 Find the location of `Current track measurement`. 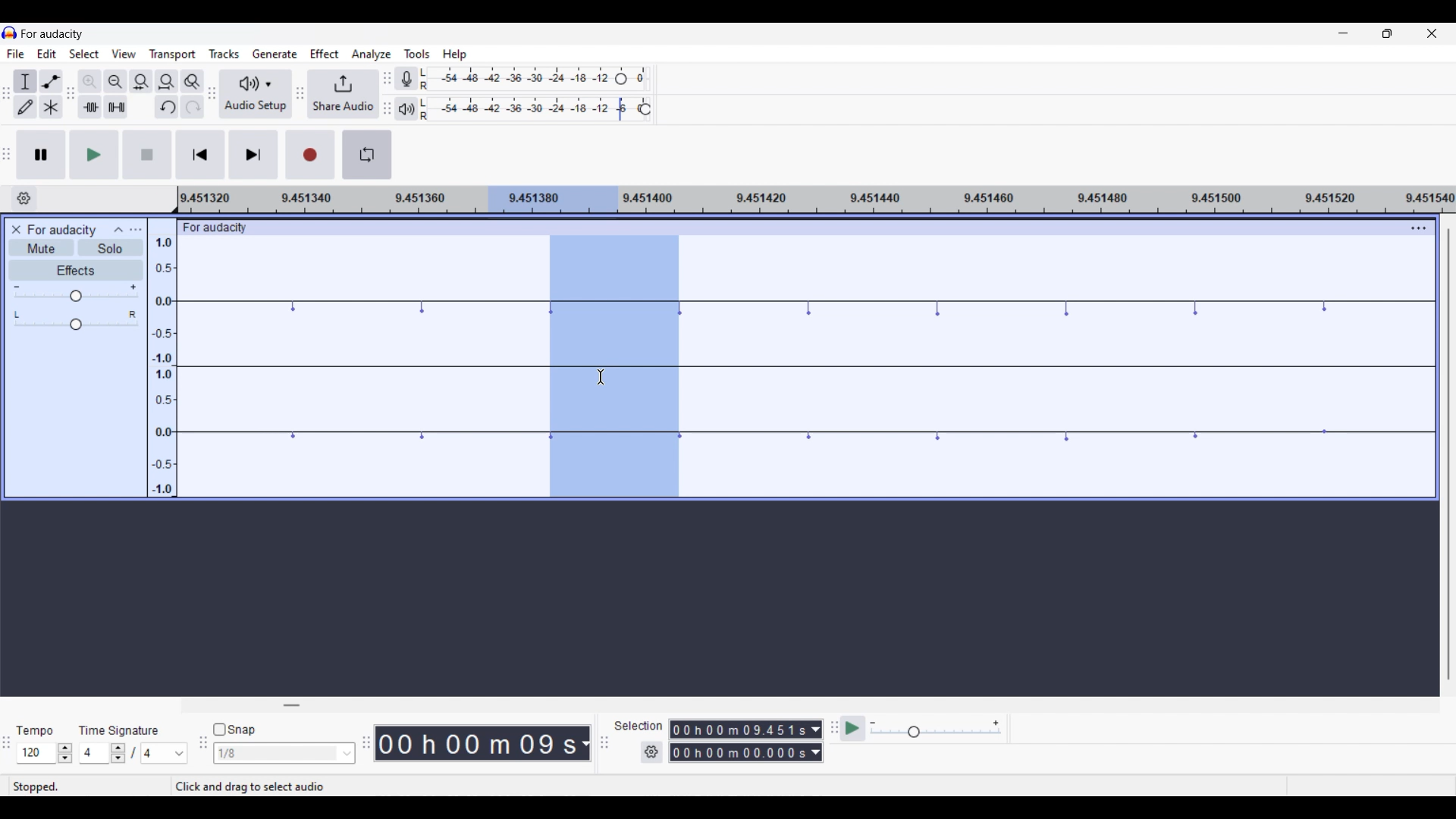

Current track measurement is located at coordinates (585, 743).